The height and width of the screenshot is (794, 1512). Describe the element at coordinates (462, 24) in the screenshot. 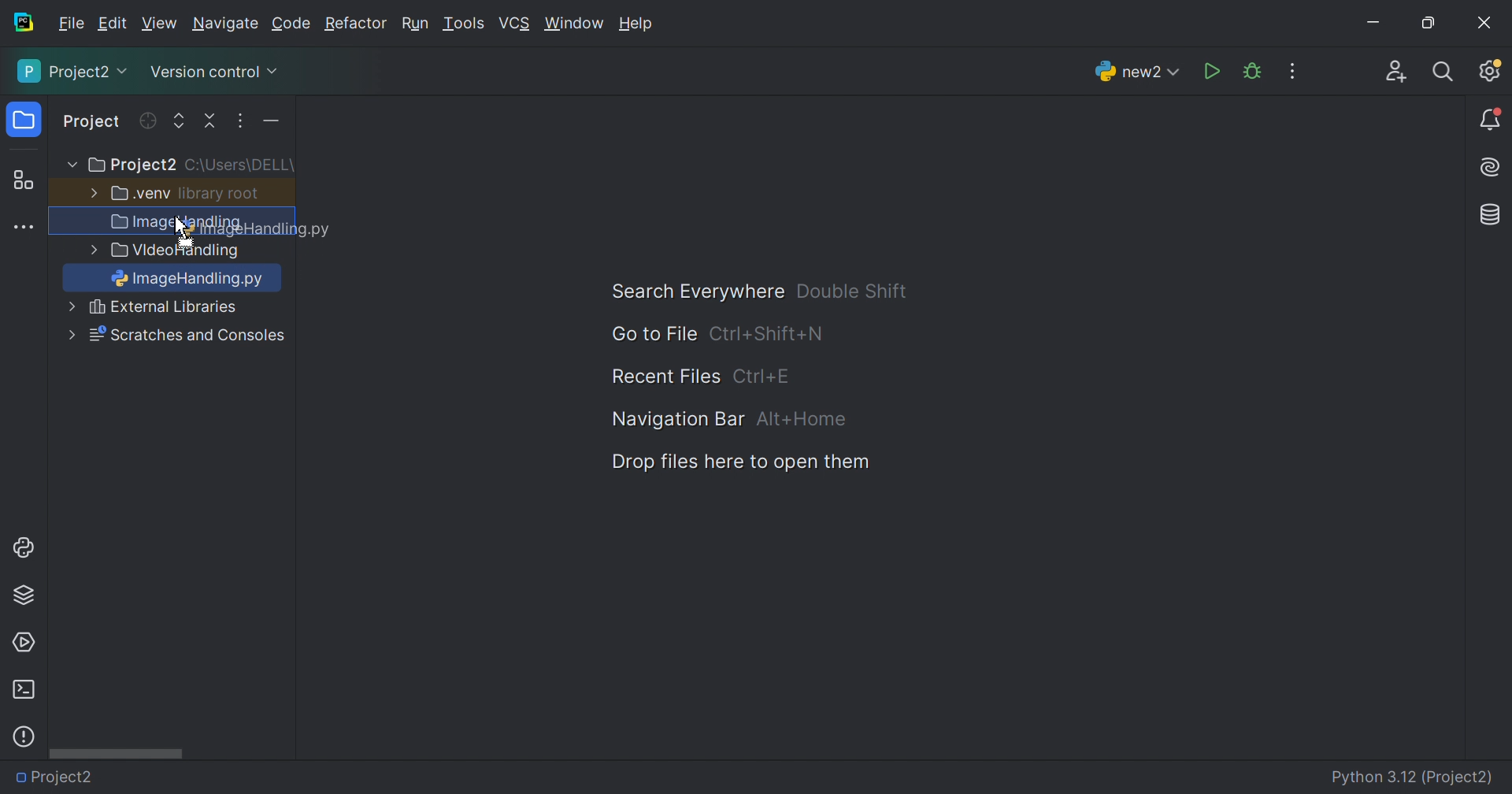

I see `Tools` at that location.